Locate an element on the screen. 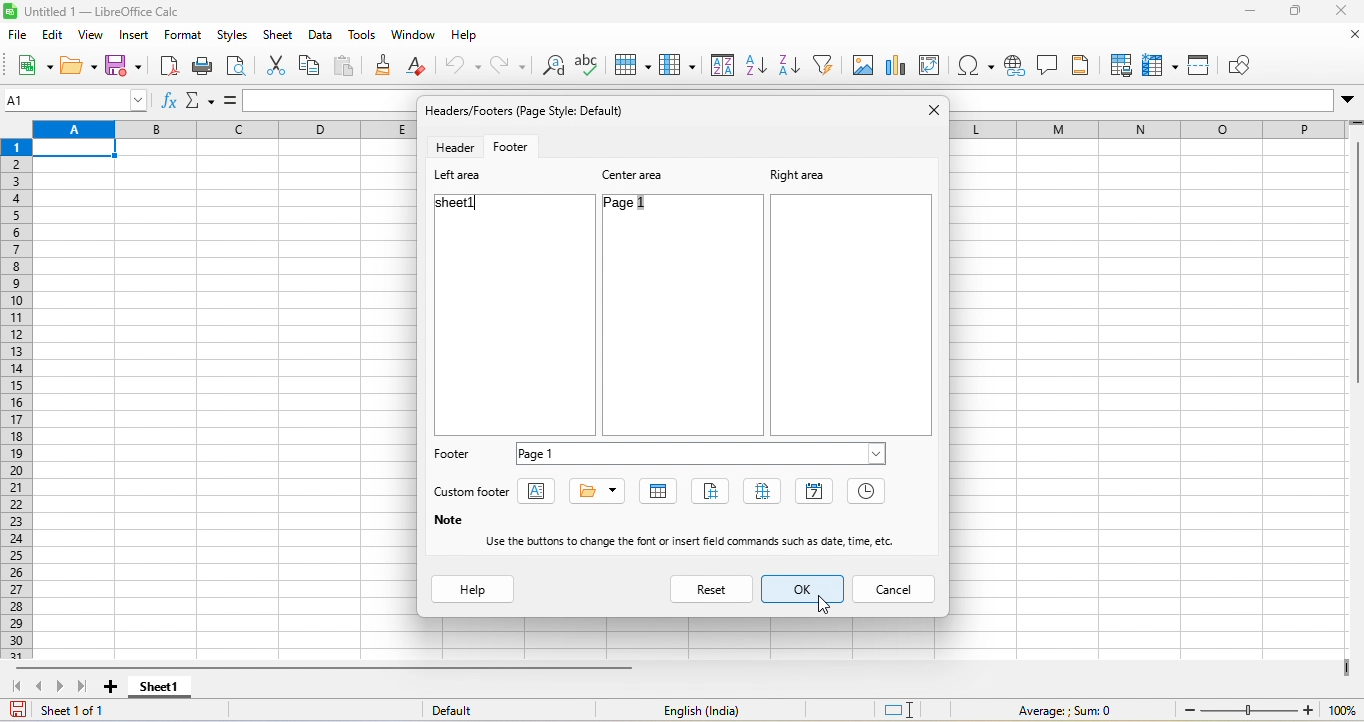 This screenshot has height=722, width=1364. close is located at coordinates (1338, 14).